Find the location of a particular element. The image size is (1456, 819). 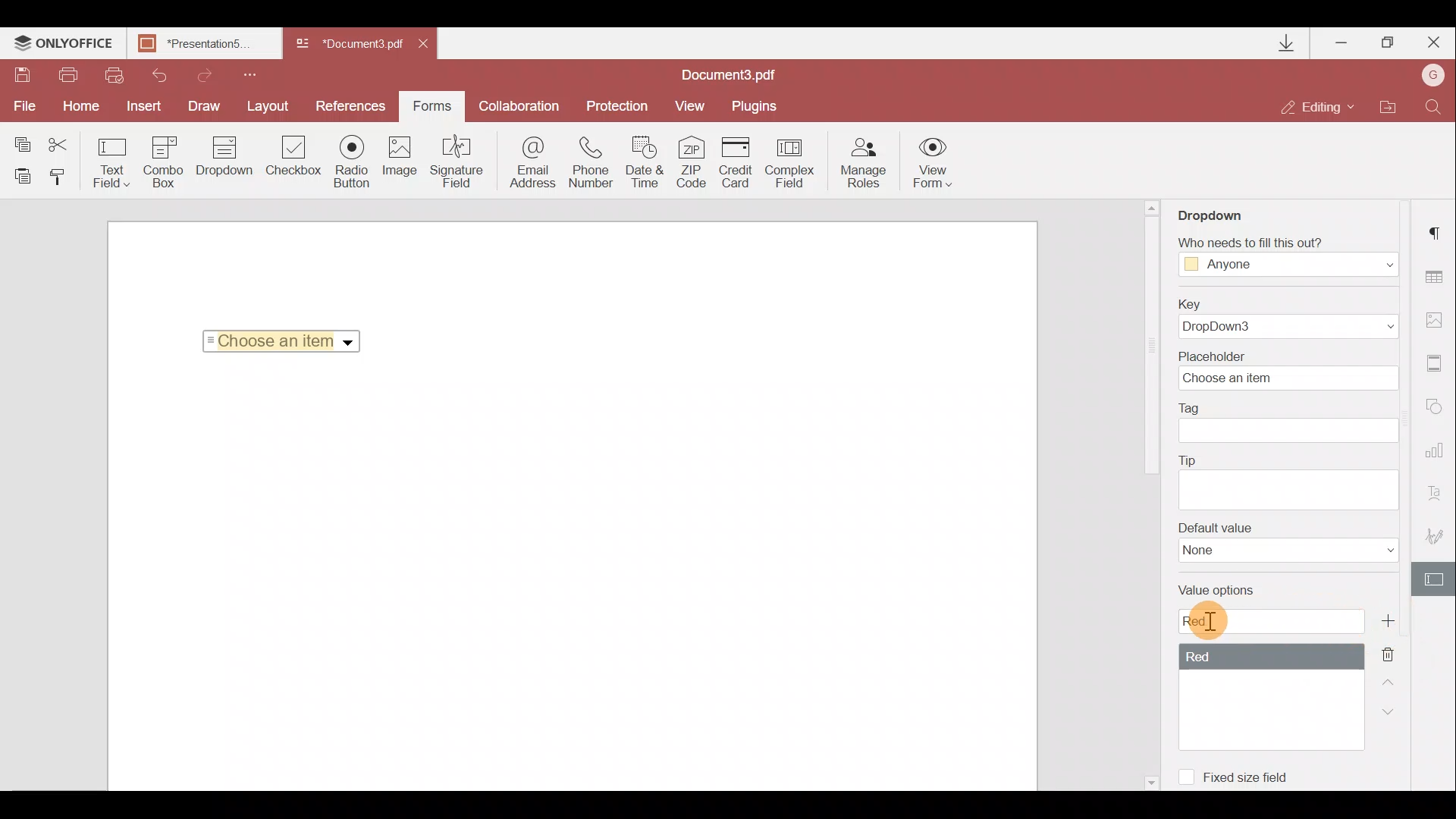

ZIP code is located at coordinates (695, 162).